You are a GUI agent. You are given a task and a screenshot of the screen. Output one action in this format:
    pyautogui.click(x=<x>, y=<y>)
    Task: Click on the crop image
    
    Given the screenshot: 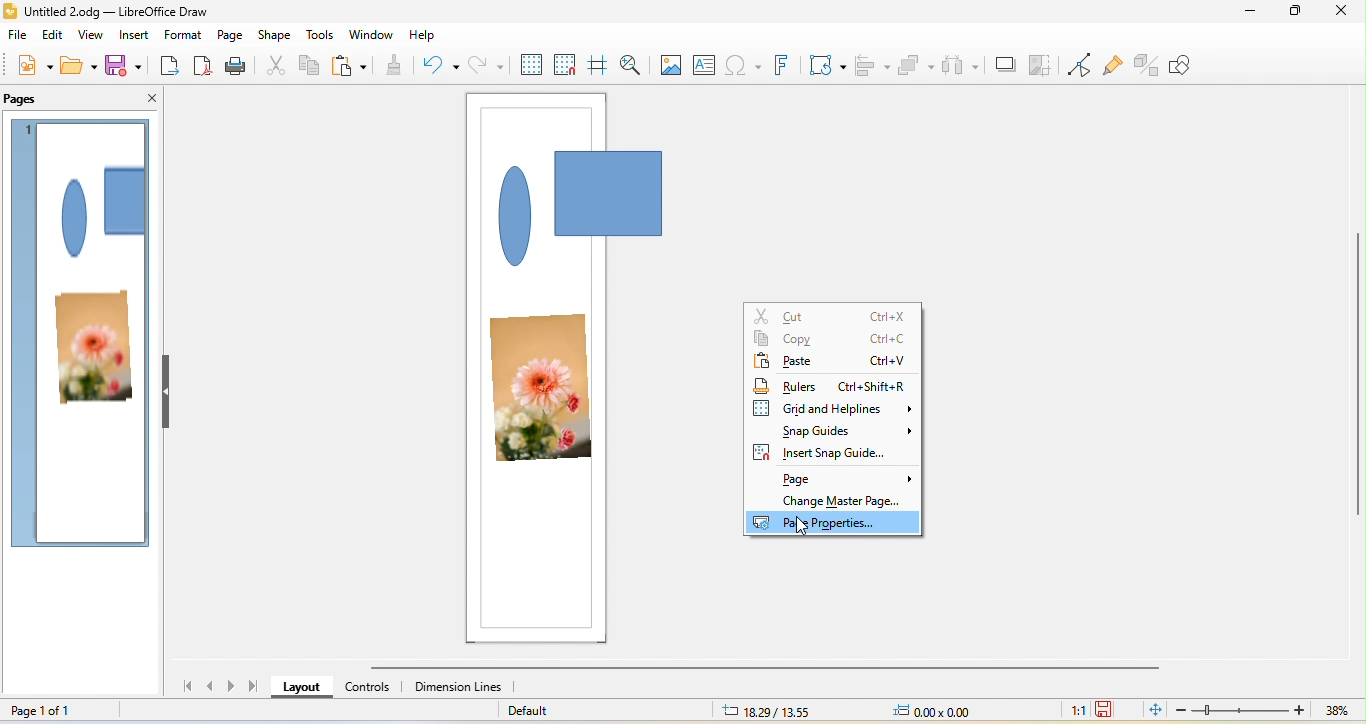 What is the action you would take?
    pyautogui.click(x=1042, y=62)
    